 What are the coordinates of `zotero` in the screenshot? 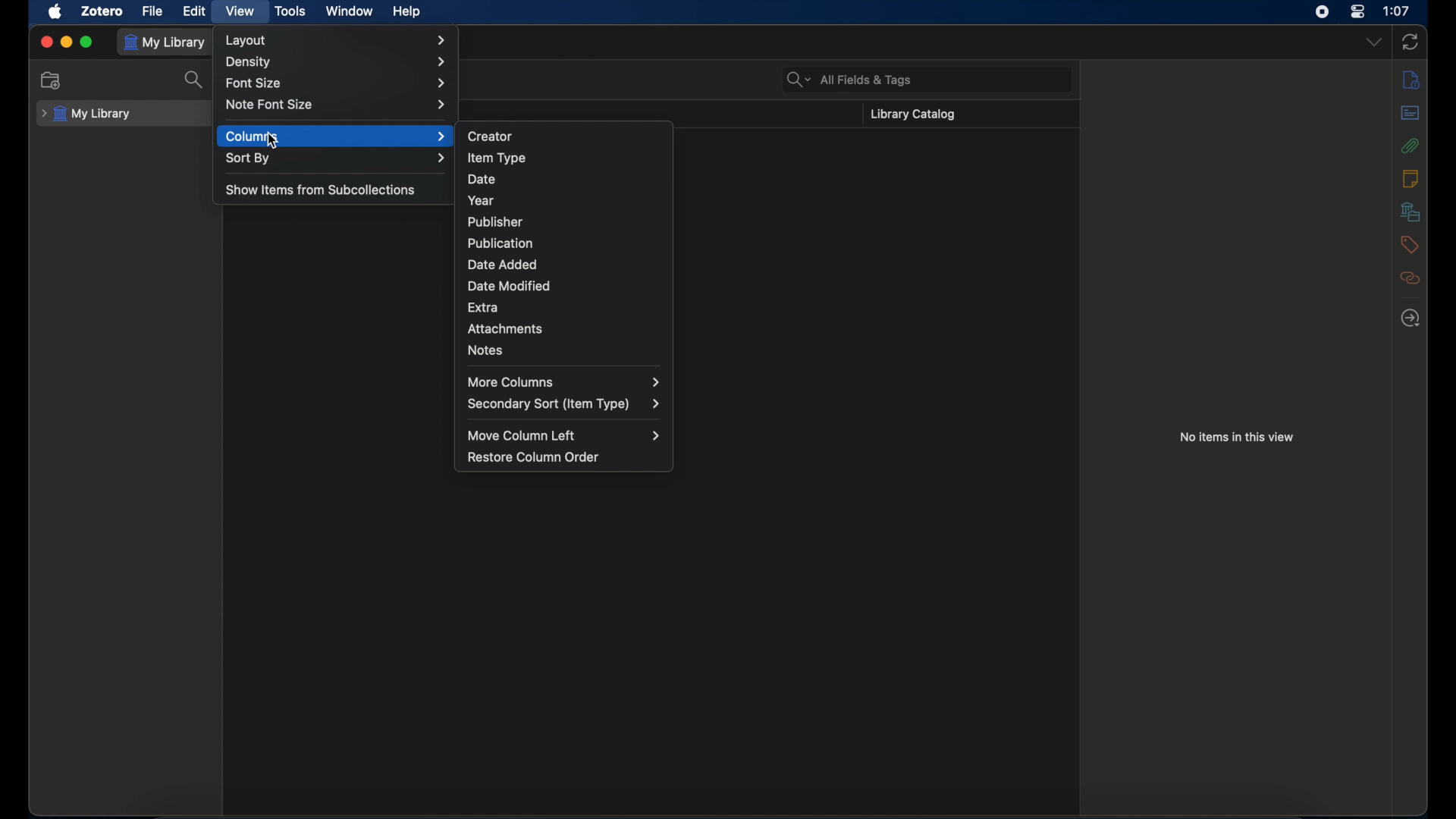 It's located at (102, 11).